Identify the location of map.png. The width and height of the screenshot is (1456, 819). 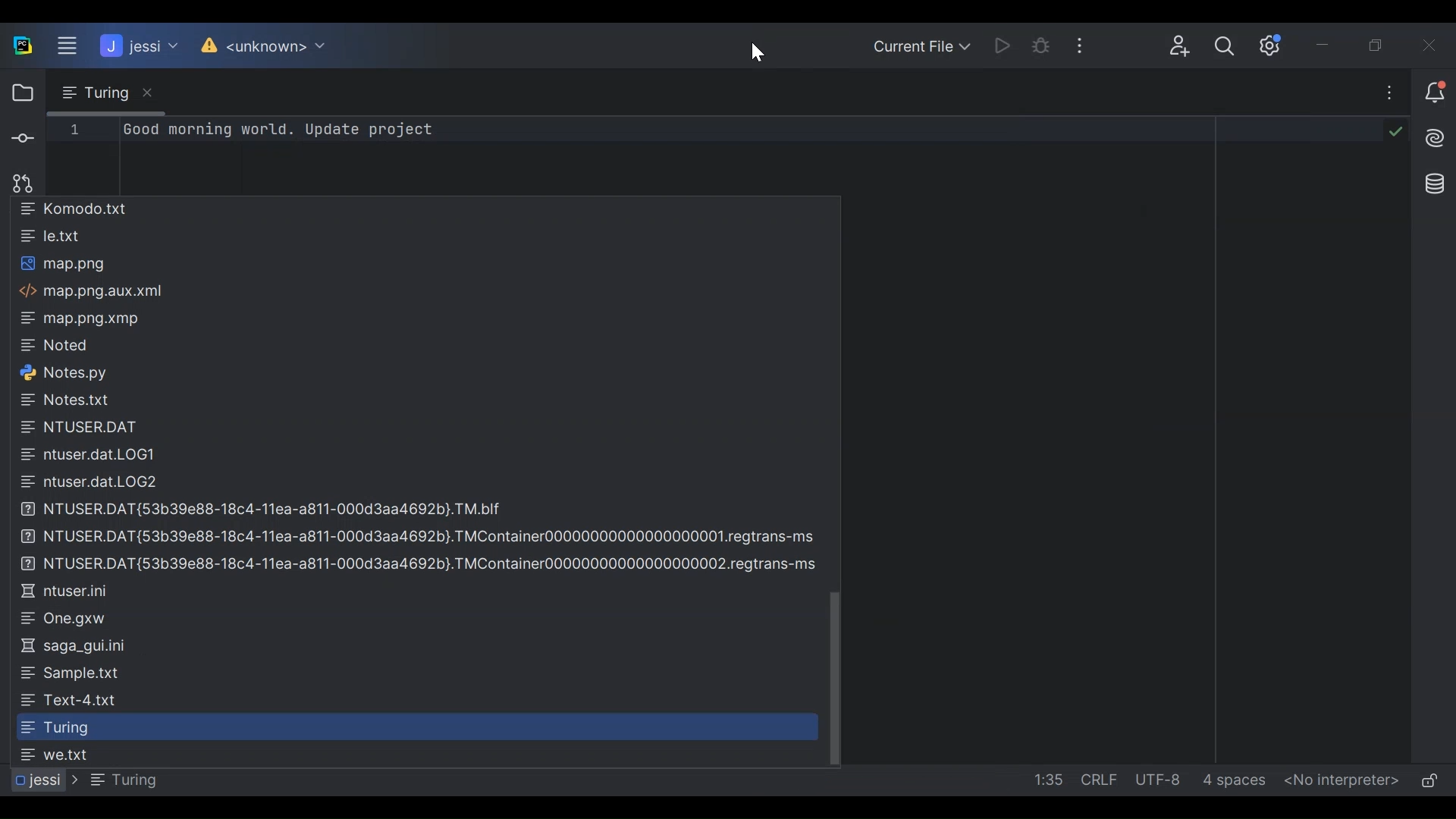
(64, 265).